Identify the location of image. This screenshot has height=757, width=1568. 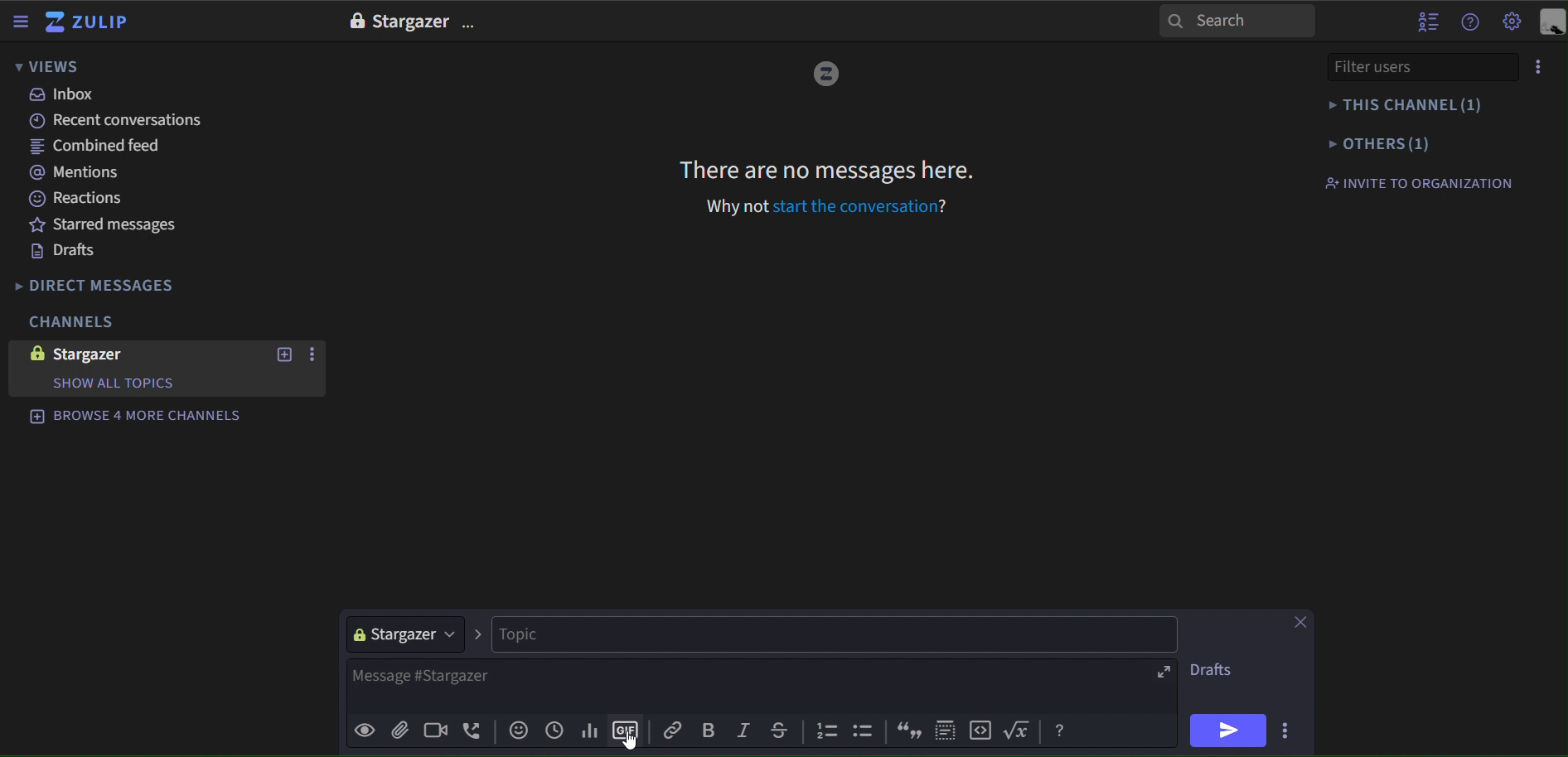
(355, 21).